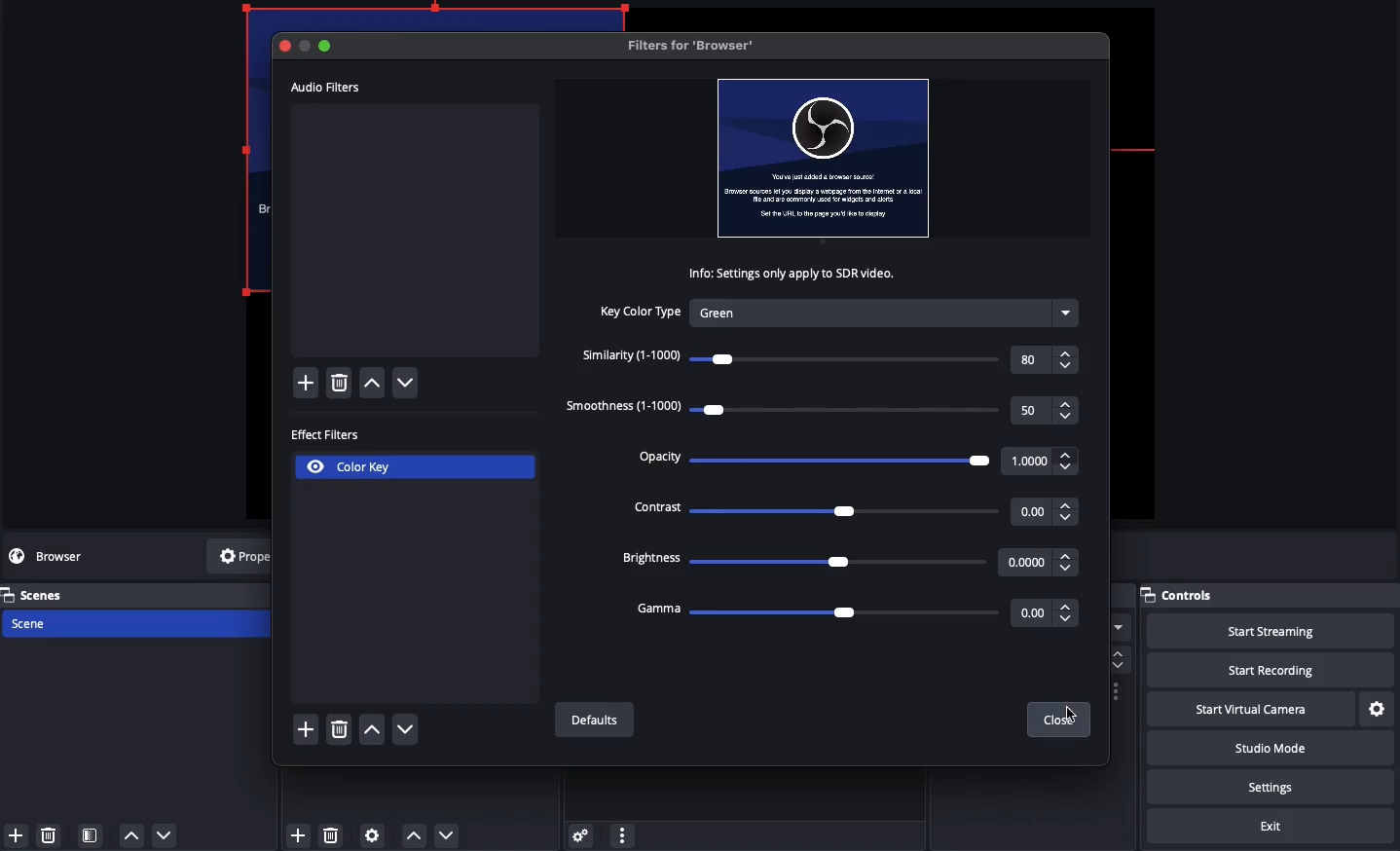 This screenshot has width=1400, height=851. I want to click on Scene filter, so click(92, 835).